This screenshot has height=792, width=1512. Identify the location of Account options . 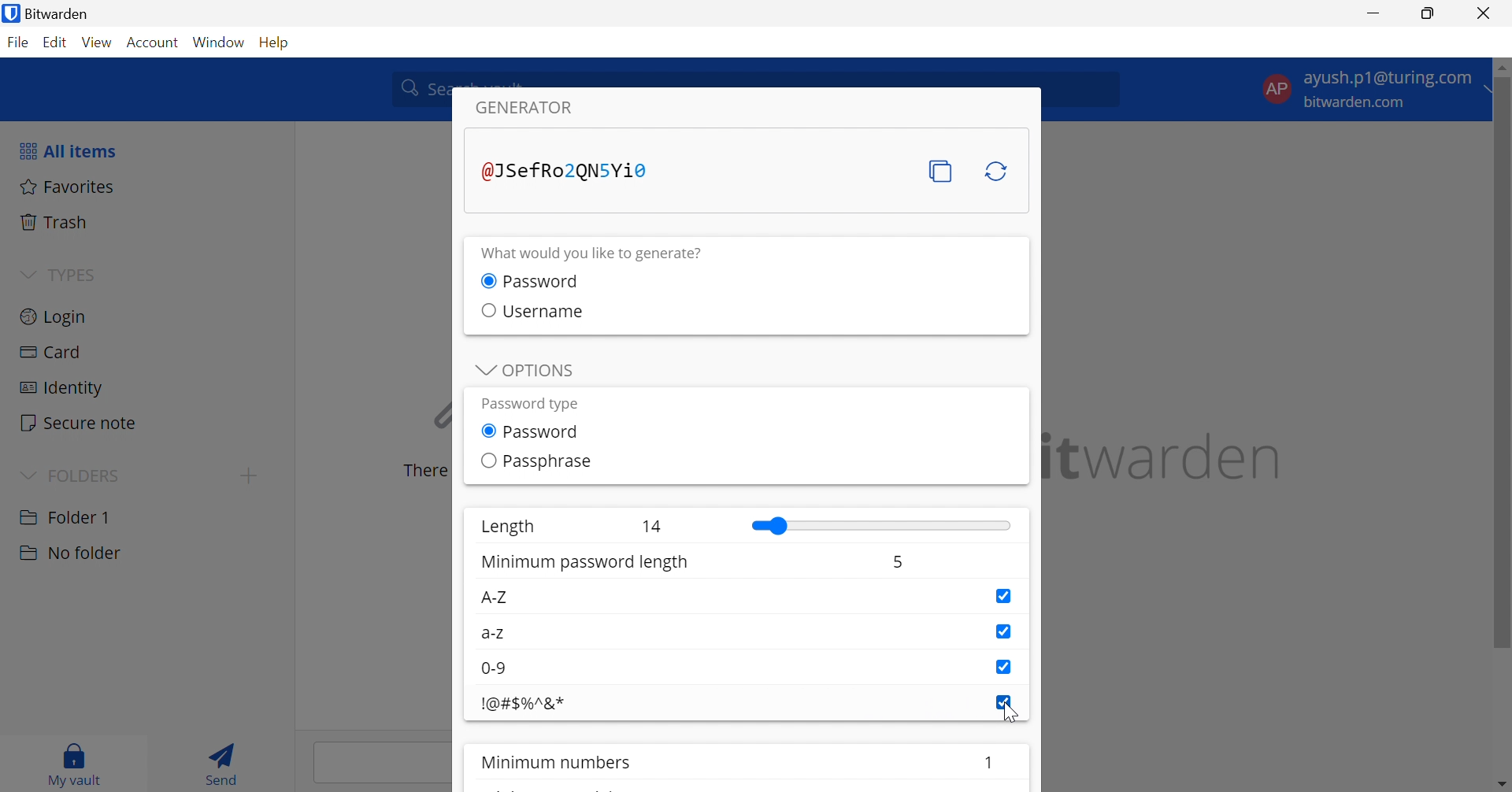
(1369, 90).